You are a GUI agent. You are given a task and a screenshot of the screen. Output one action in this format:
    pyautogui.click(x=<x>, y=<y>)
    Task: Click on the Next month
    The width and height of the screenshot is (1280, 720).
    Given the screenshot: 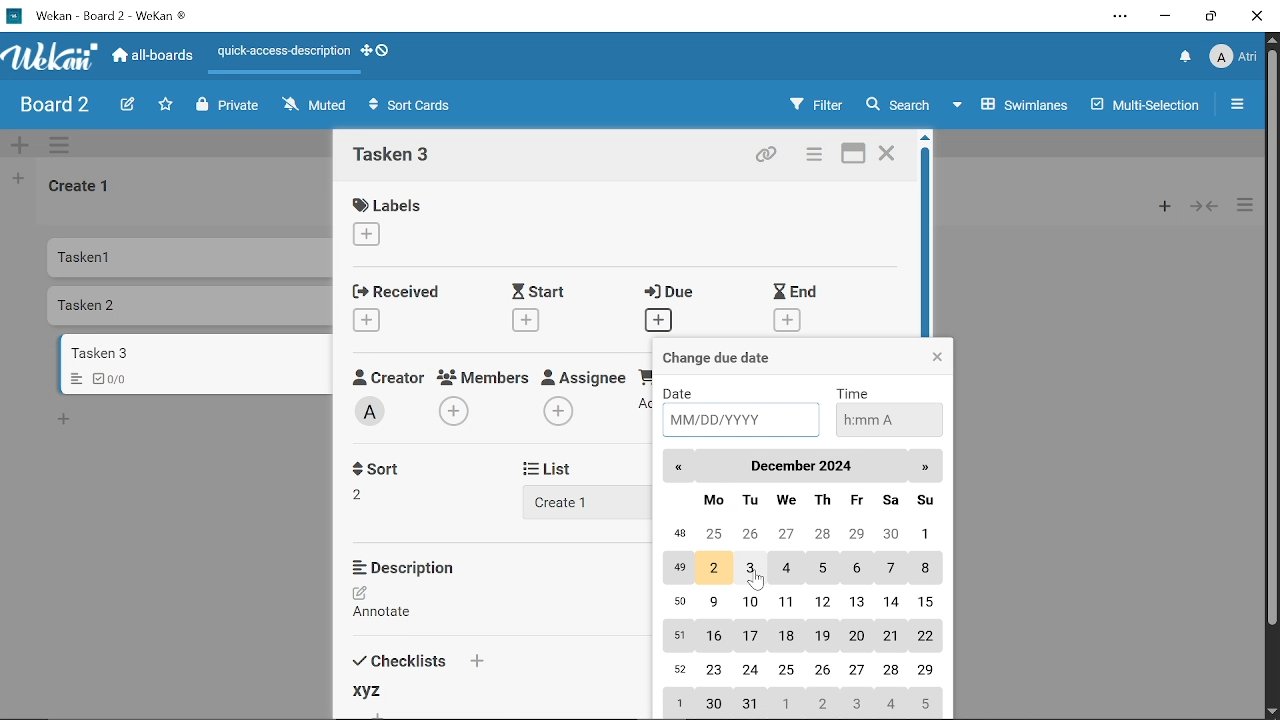 What is the action you would take?
    pyautogui.click(x=925, y=467)
    